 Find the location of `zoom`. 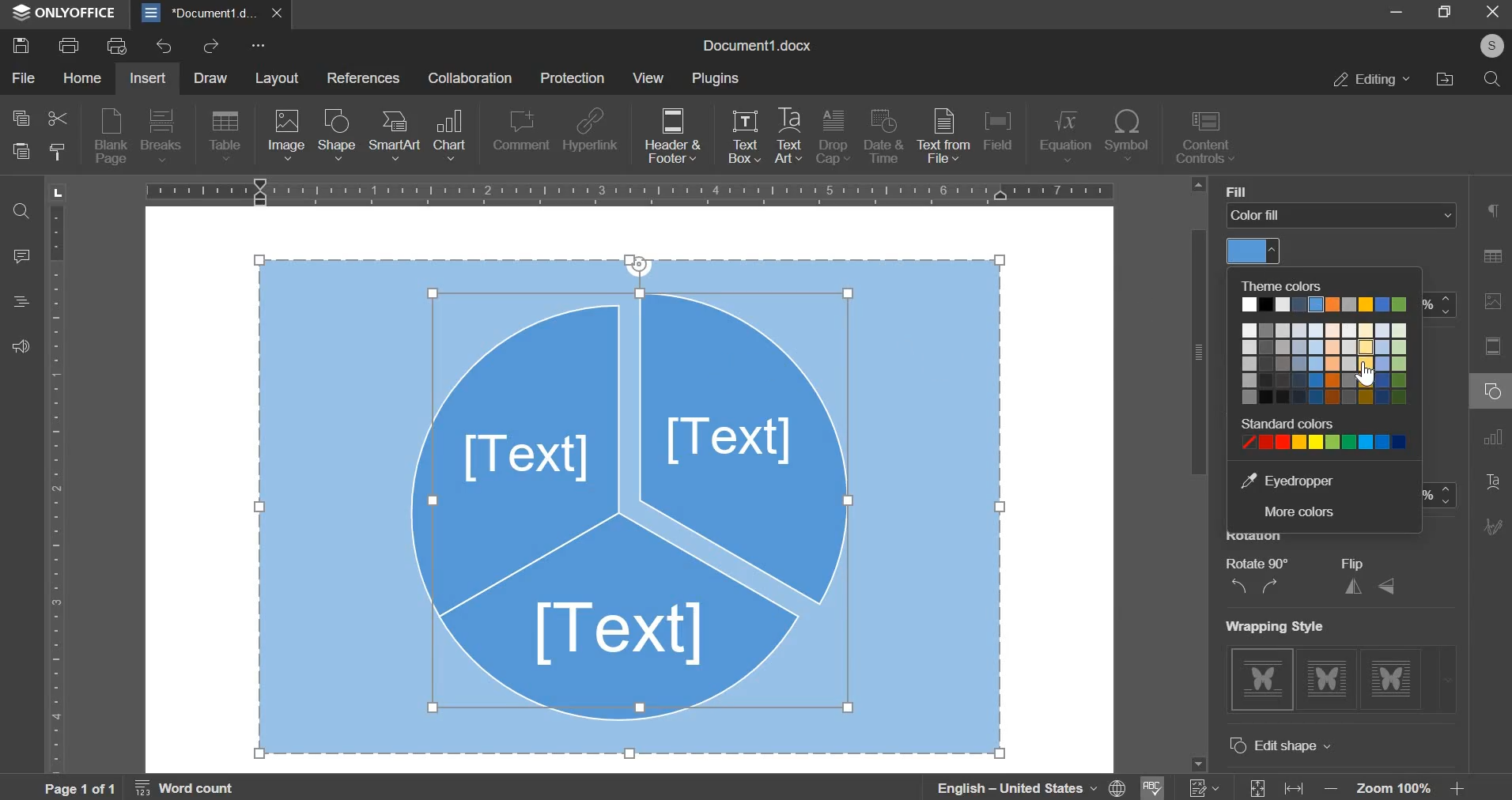

zoom is located at coordinates (1399, 787).